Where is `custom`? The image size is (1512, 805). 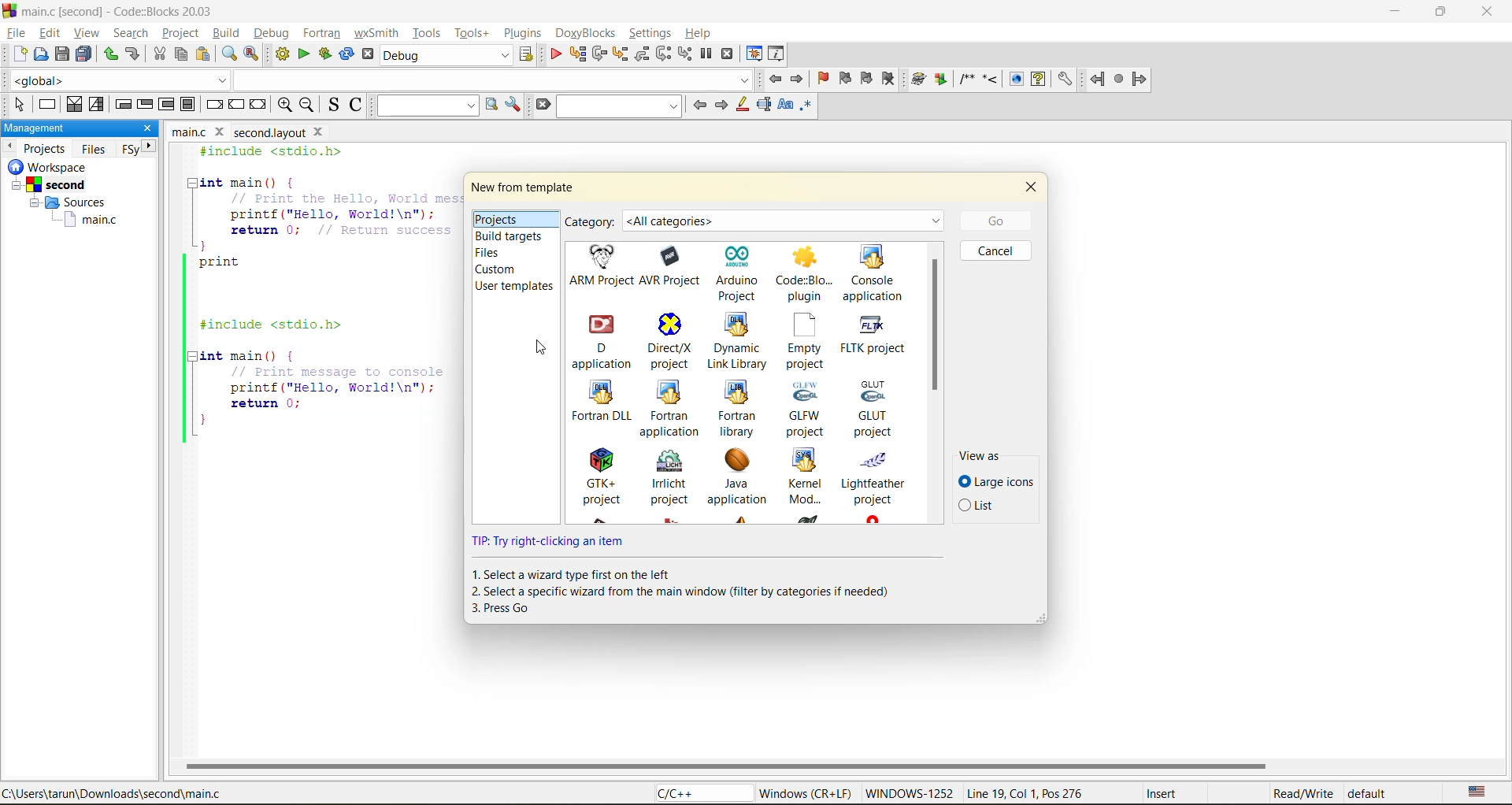
custom is located at coordinates (500, 269).